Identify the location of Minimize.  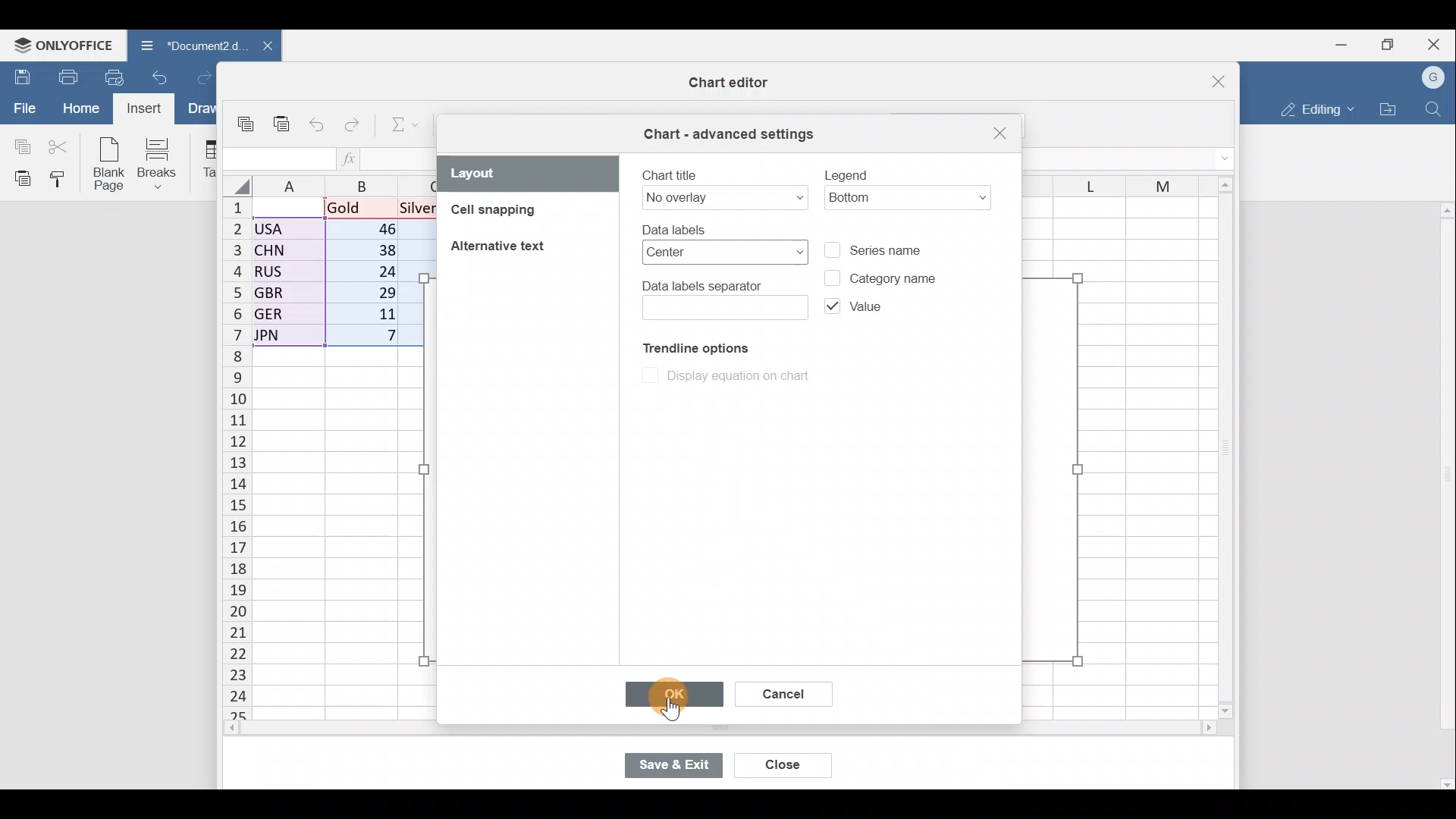
(1347, 43).